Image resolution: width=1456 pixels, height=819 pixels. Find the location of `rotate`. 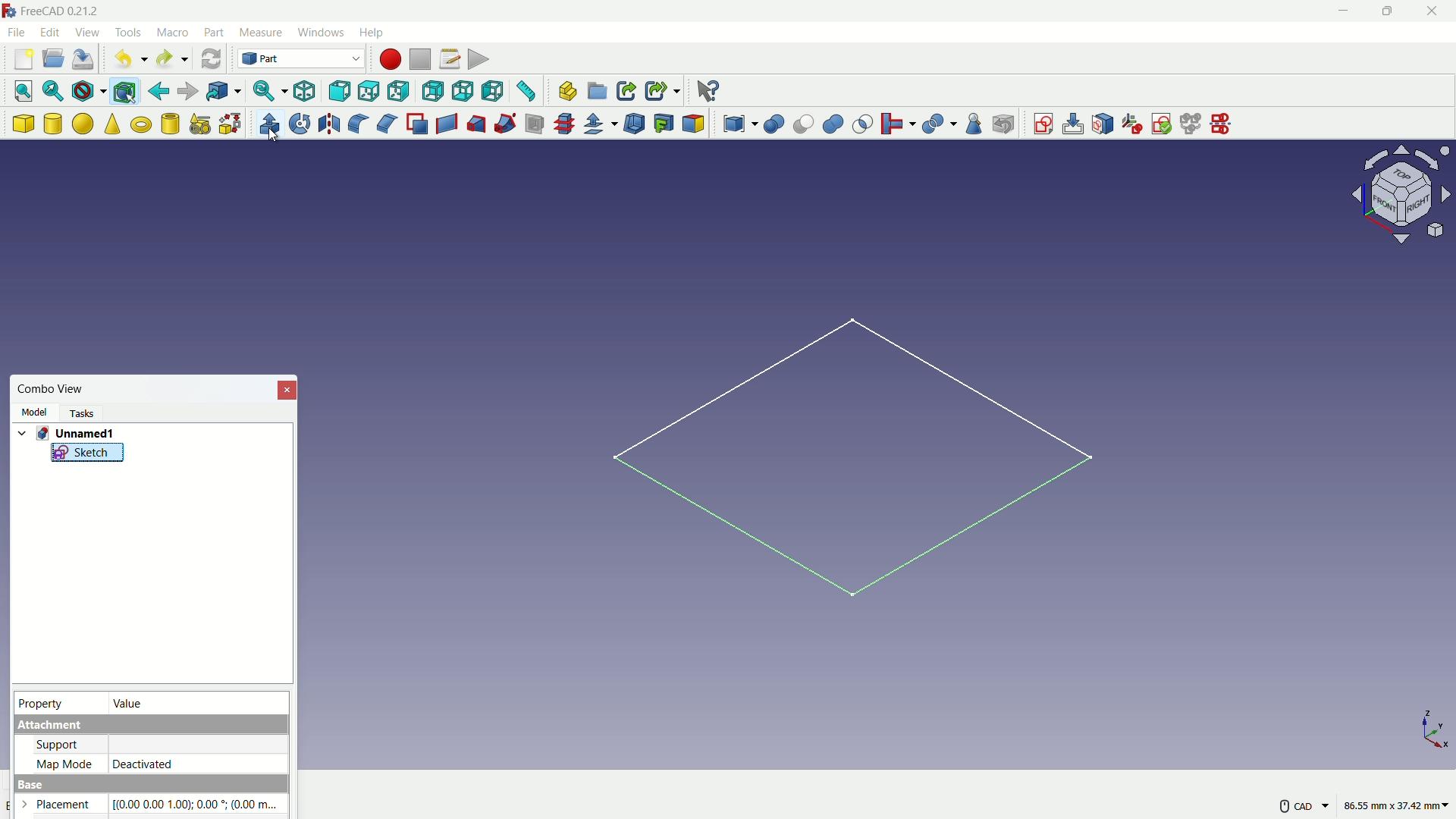

rotate is located at coordinates (301, 123).